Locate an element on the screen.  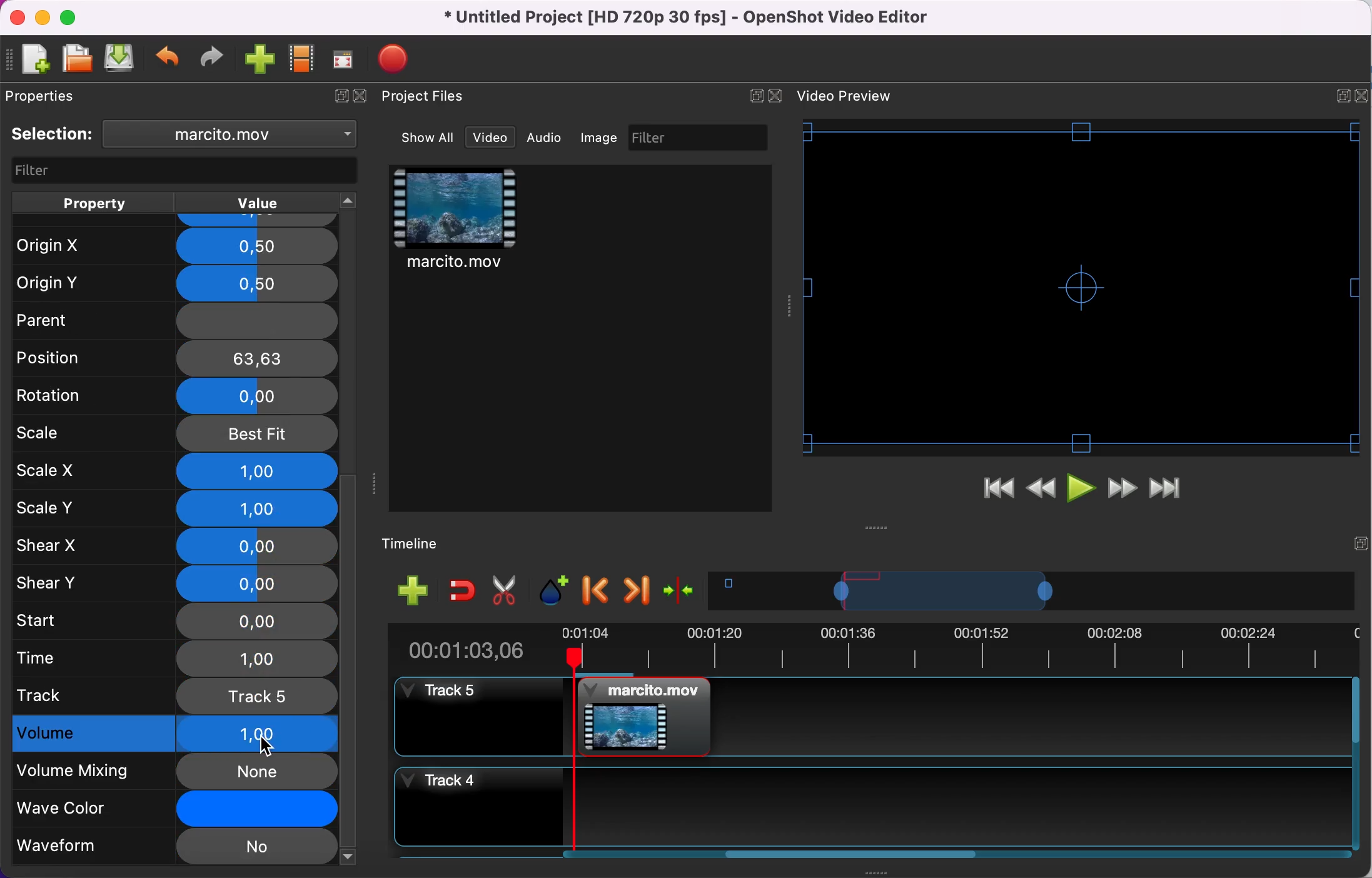
shear x 0 is located at coordinates (175, 547).